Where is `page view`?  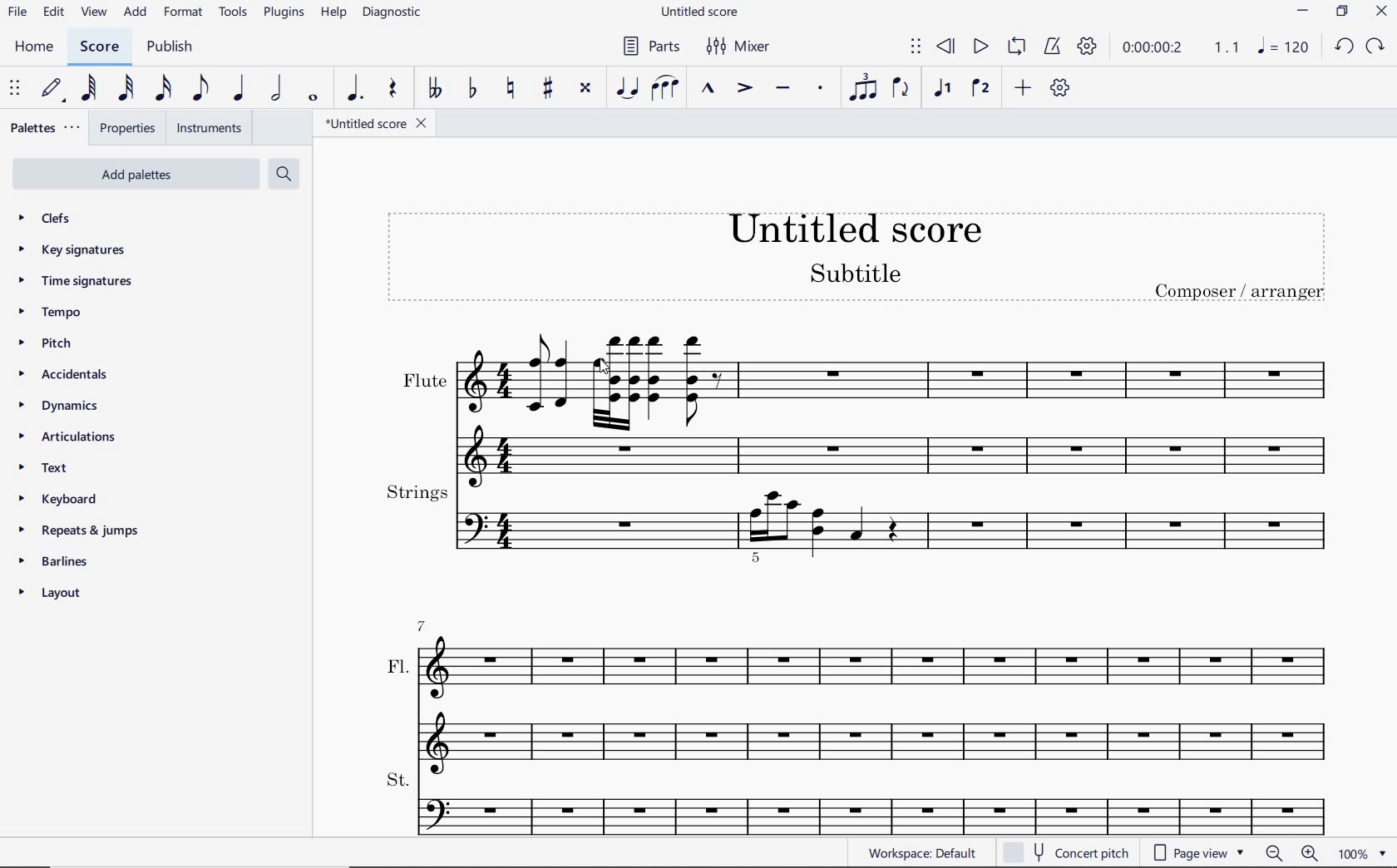 page view is located at coordinates (1196, 851).